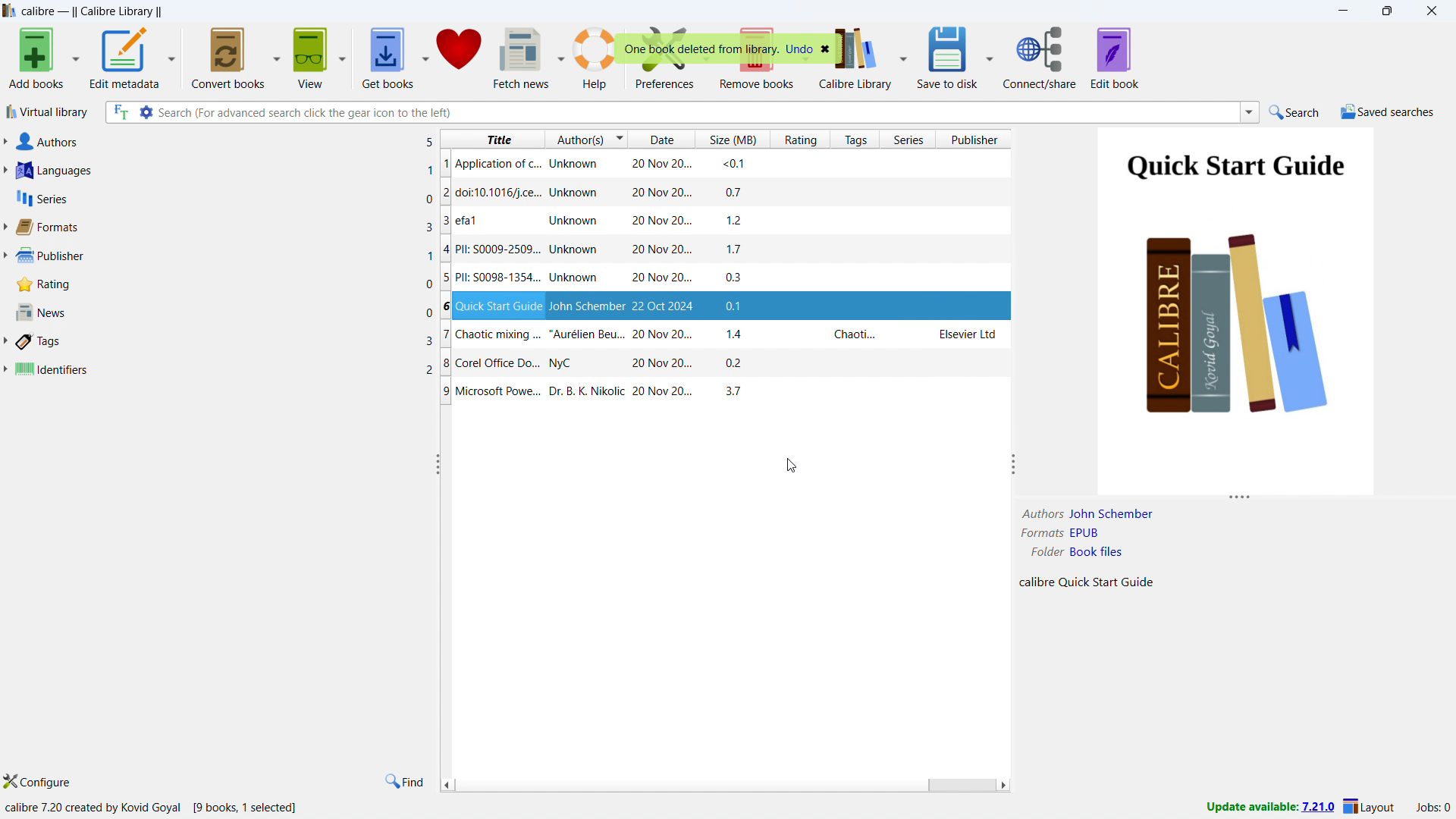 The image size is (1456, 819). I want to click on view options, so click(343, 55).